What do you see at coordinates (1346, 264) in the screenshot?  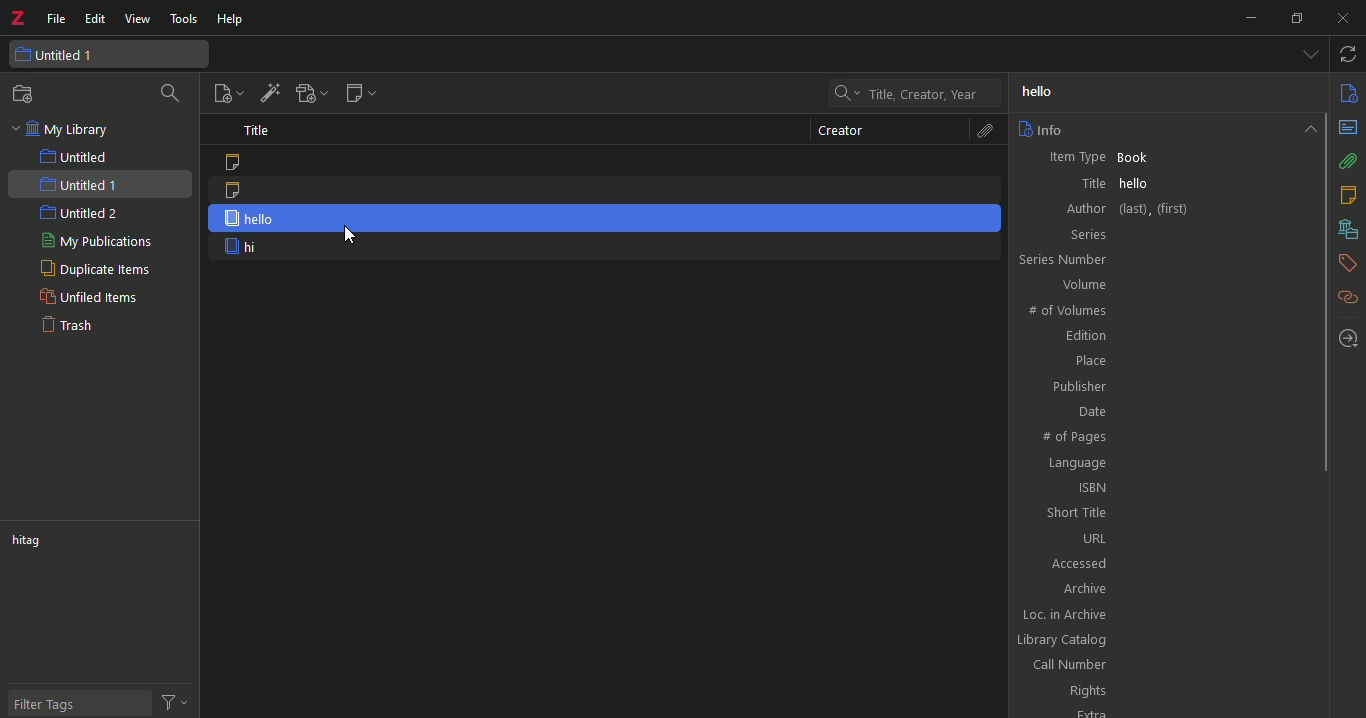 I see `tags` at bounding box center [1346, 264].